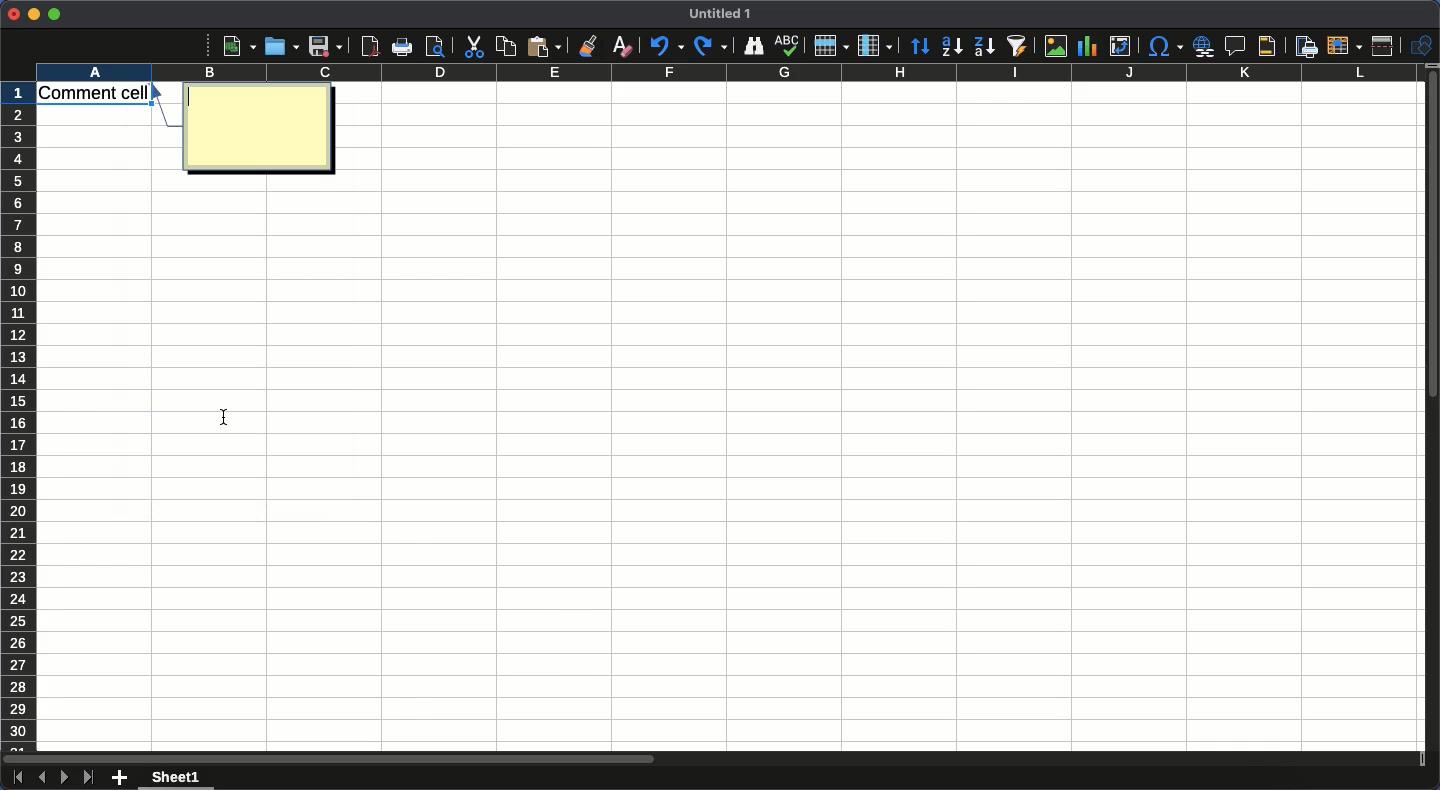 The image size is (1440, 790). I want to click on Redo, so click(711, 47).